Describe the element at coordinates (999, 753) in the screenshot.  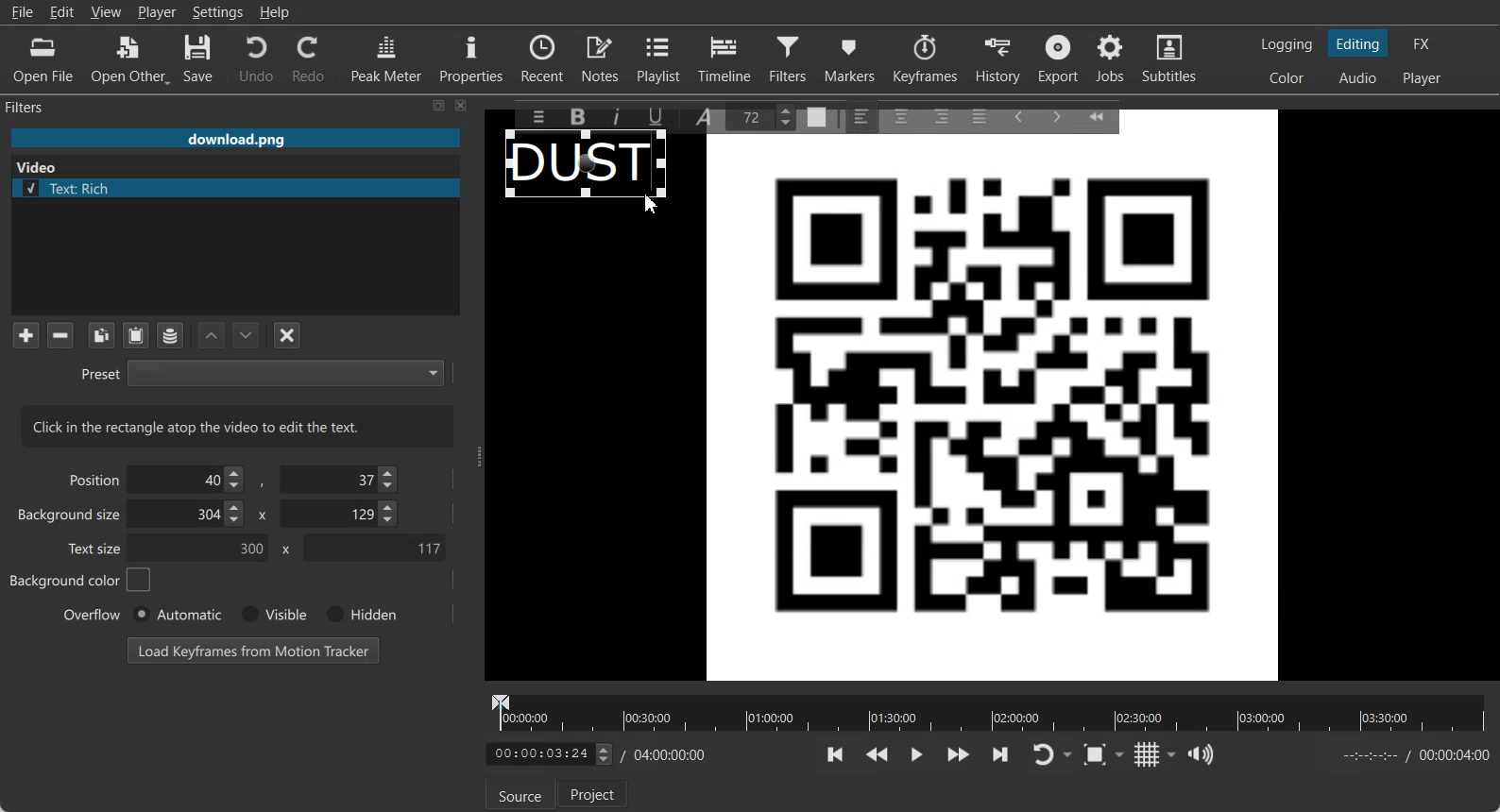
I see `Skip to the next point` at that location.